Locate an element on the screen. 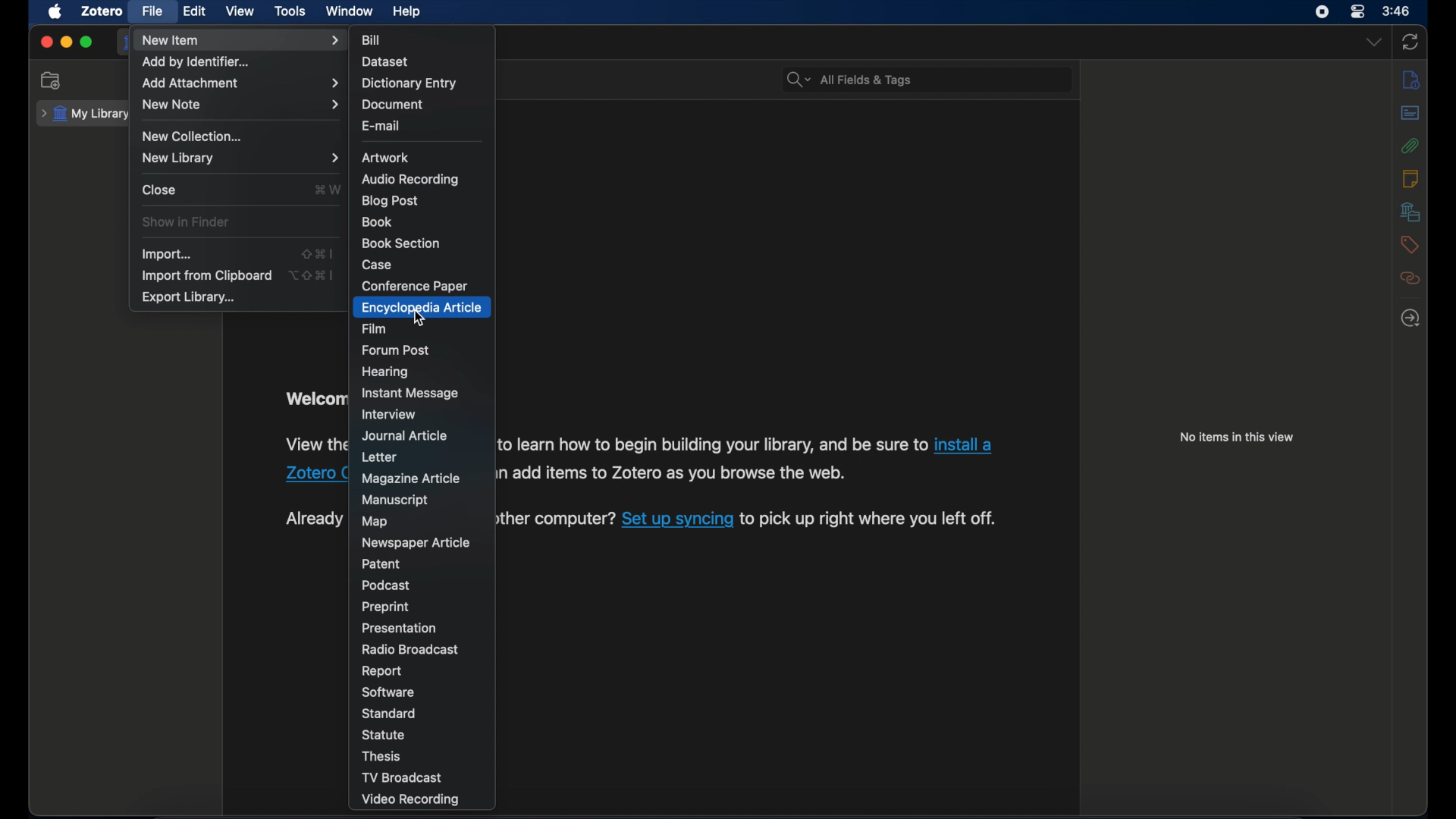 The height and width of the screenshot is (819, 1456). import from clipboard is located at coordinates (206, 275).